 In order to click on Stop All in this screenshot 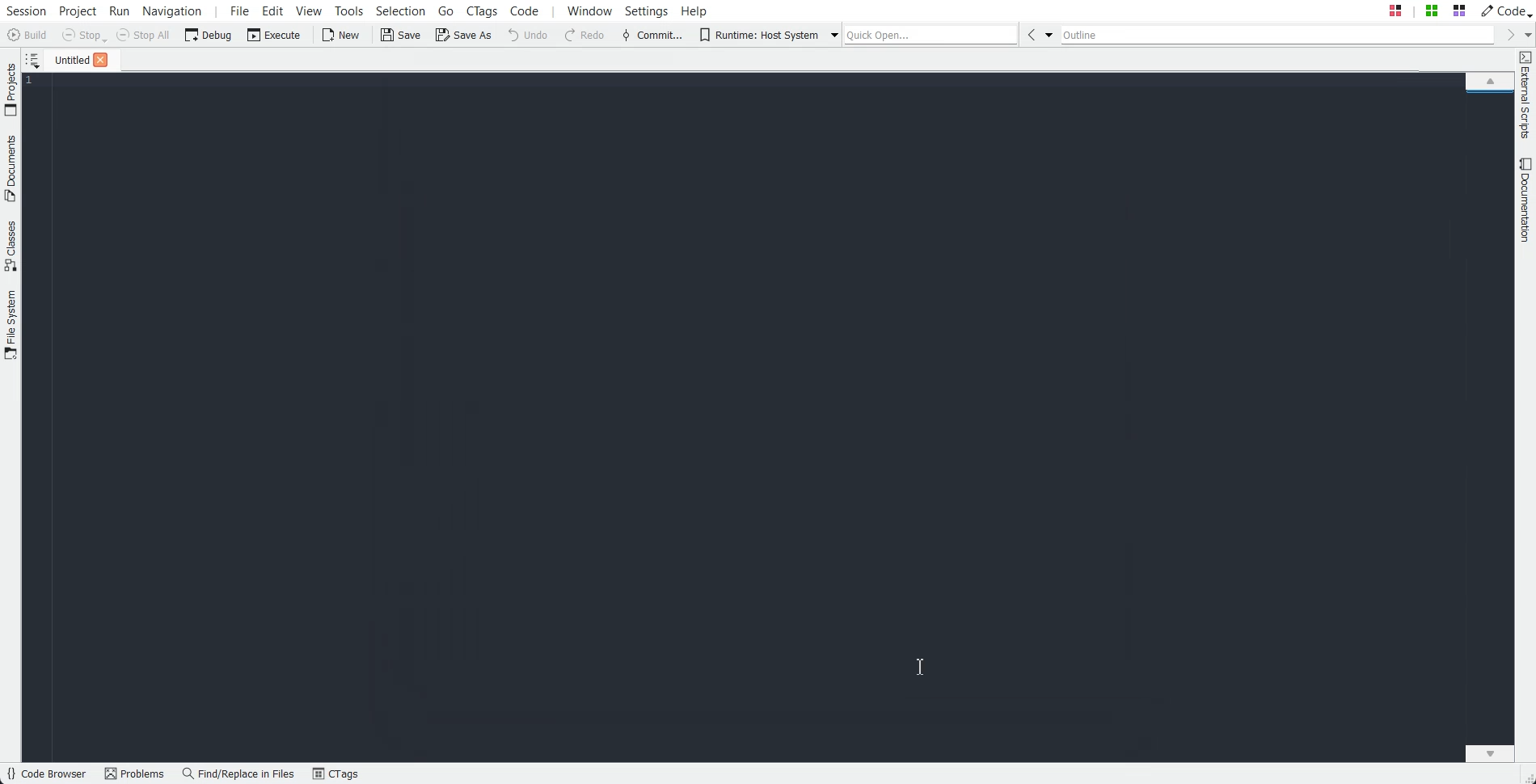, I will do `click(144, 35)`.